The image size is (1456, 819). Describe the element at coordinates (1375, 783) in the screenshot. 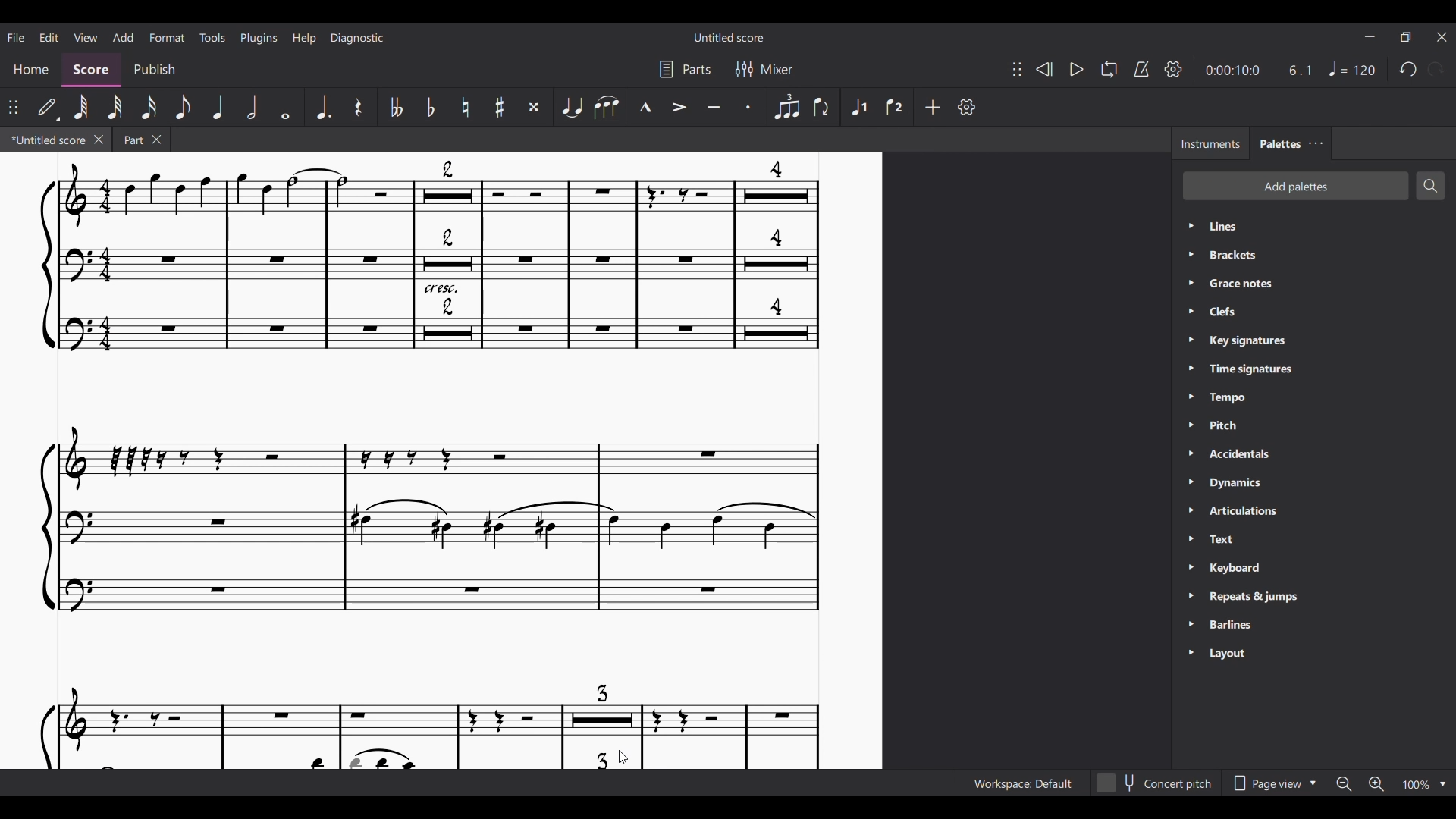

I see `Zoom in` at that location.